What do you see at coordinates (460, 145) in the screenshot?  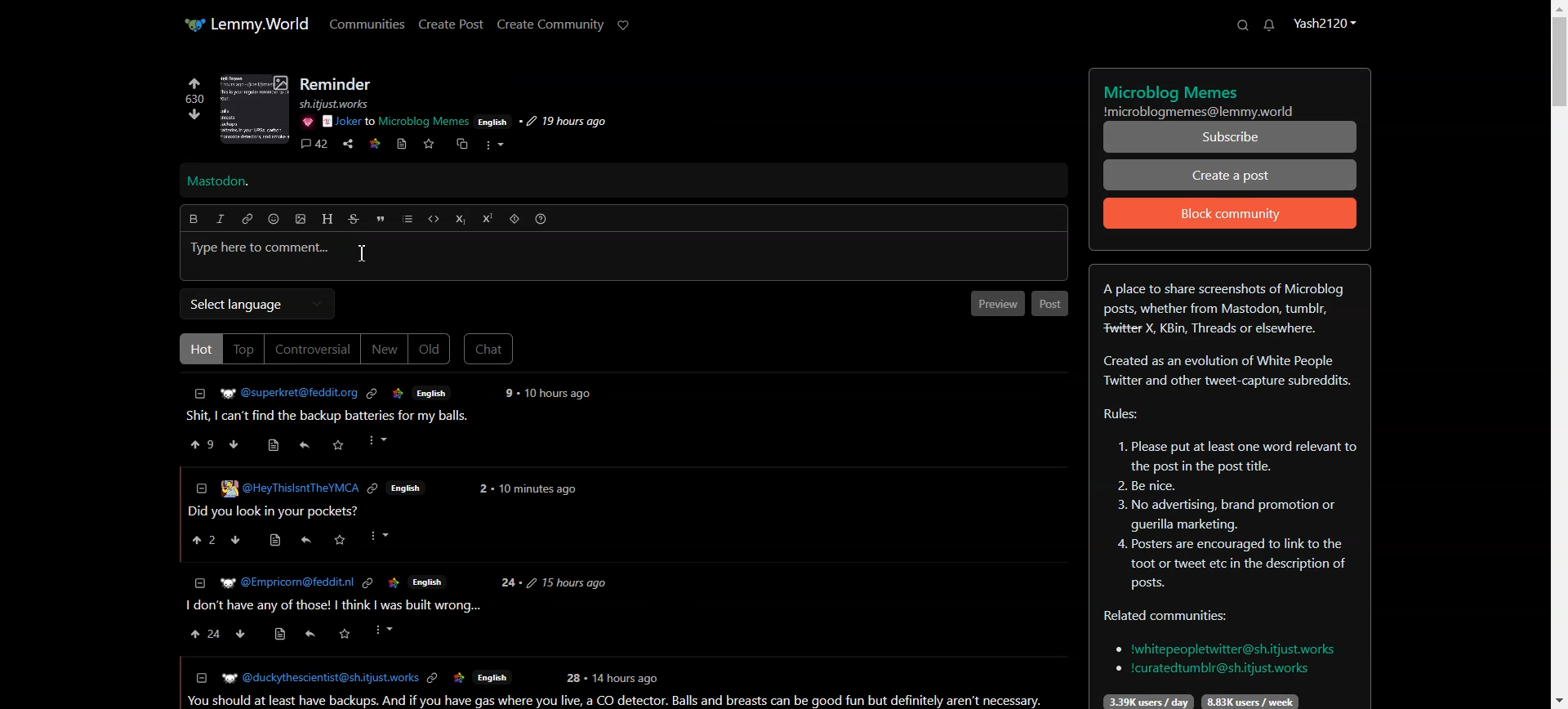 I see `Copy` at bounding box center [460, 145].